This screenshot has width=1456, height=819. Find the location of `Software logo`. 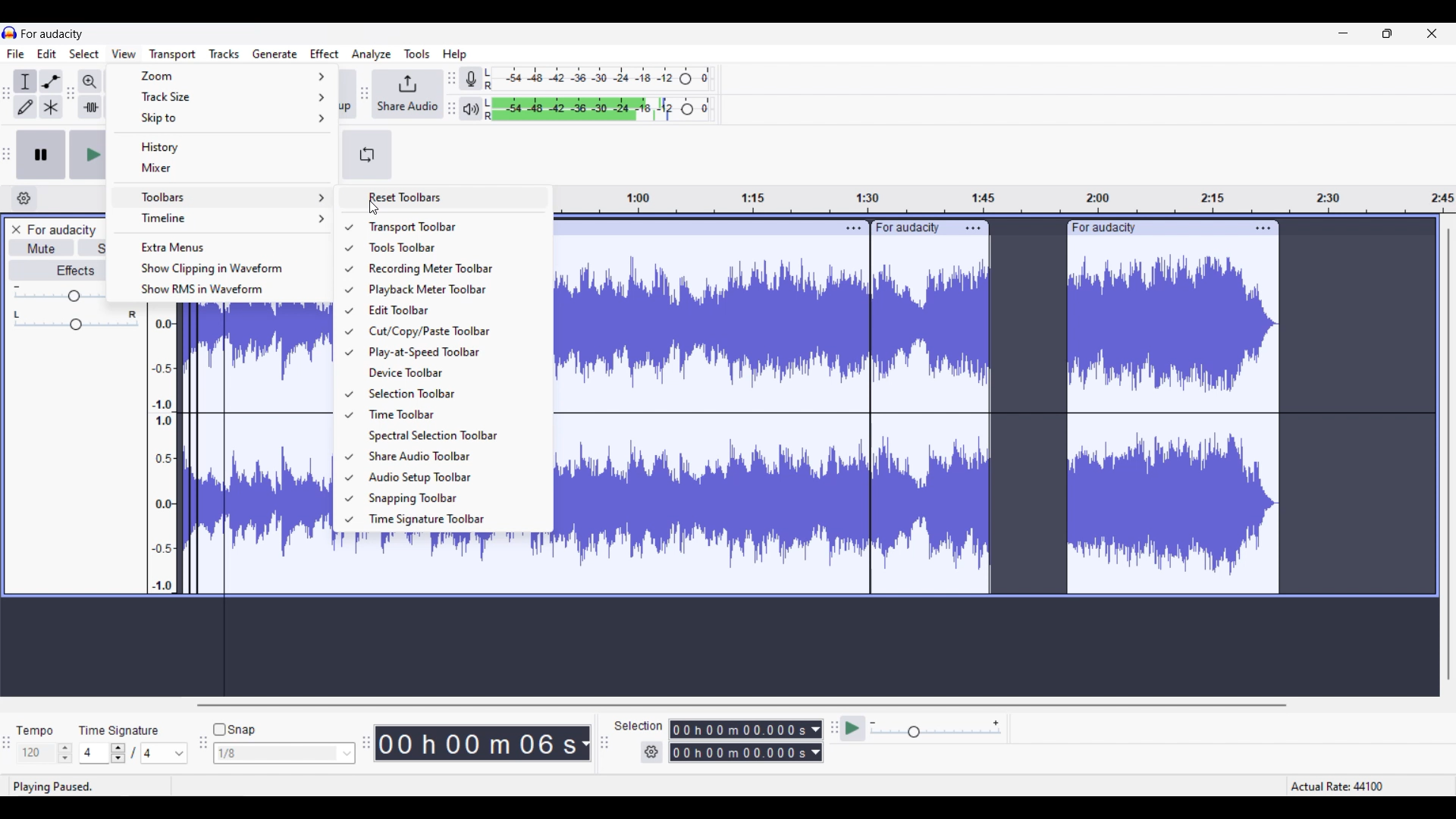

Software logo is located at coordinates (10, 33).